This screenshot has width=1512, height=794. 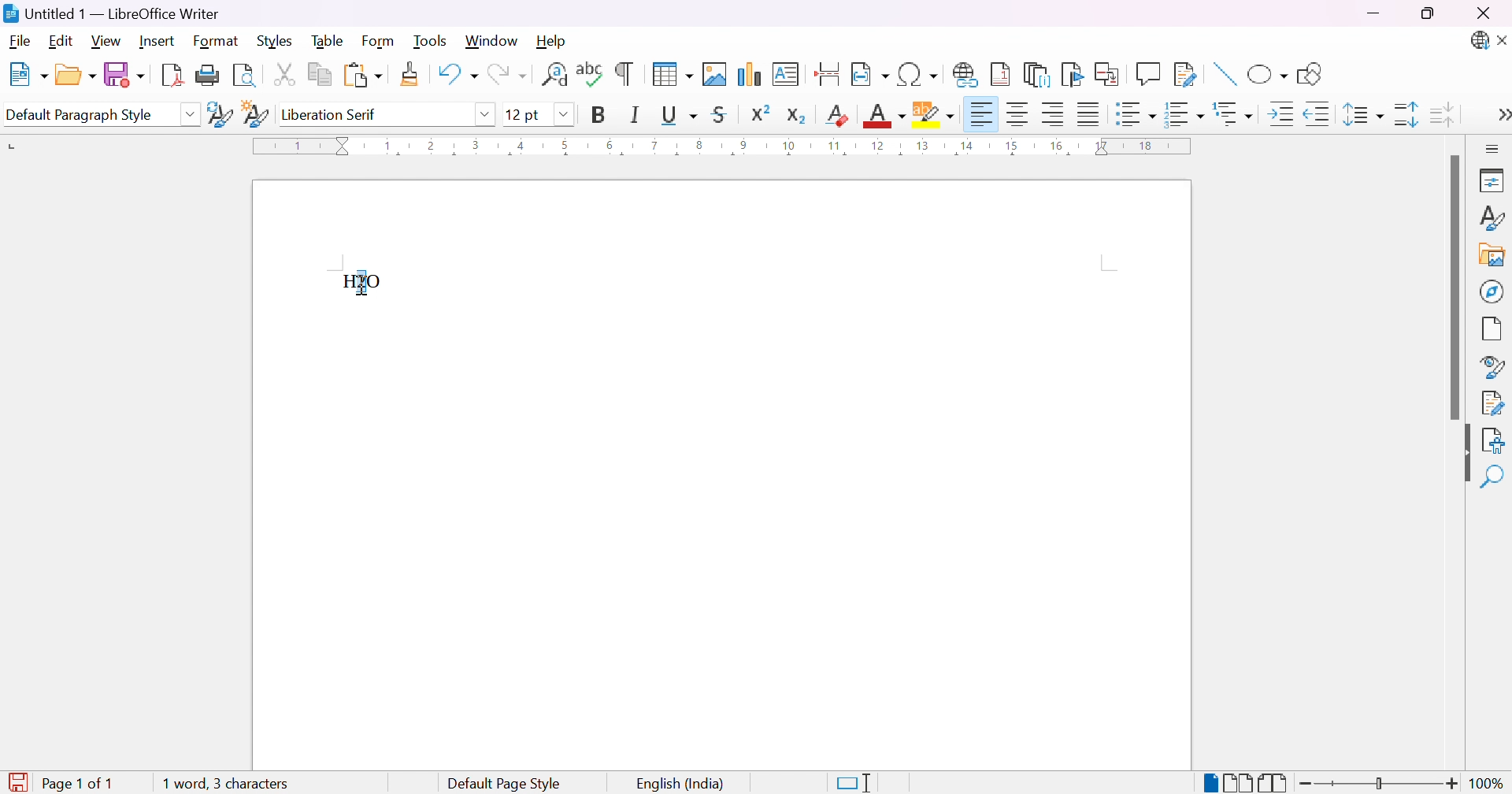 I want to click on Hide, so click(x=1460, y=455).